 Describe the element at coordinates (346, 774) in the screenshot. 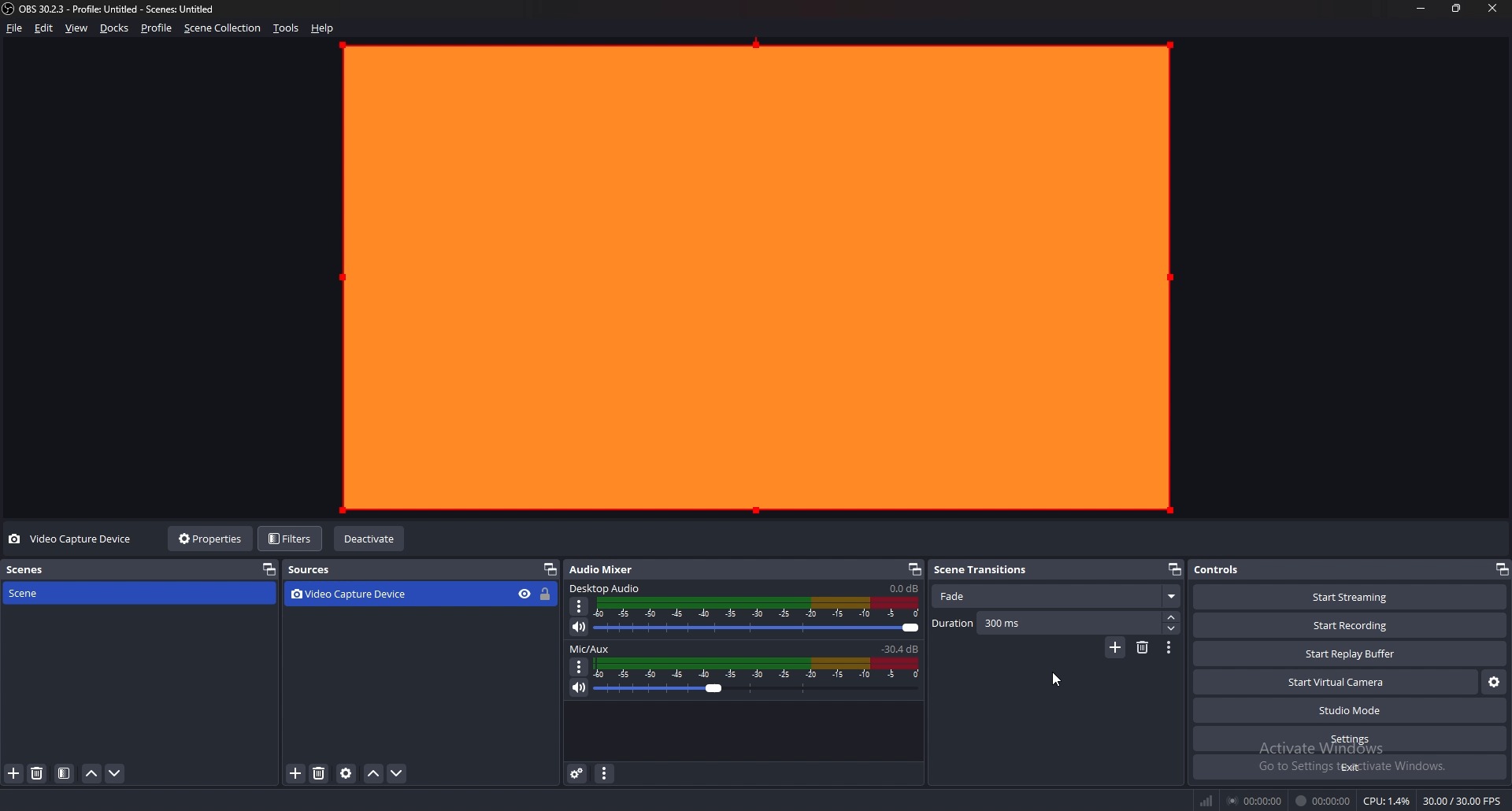

I see `source properties` at that location.